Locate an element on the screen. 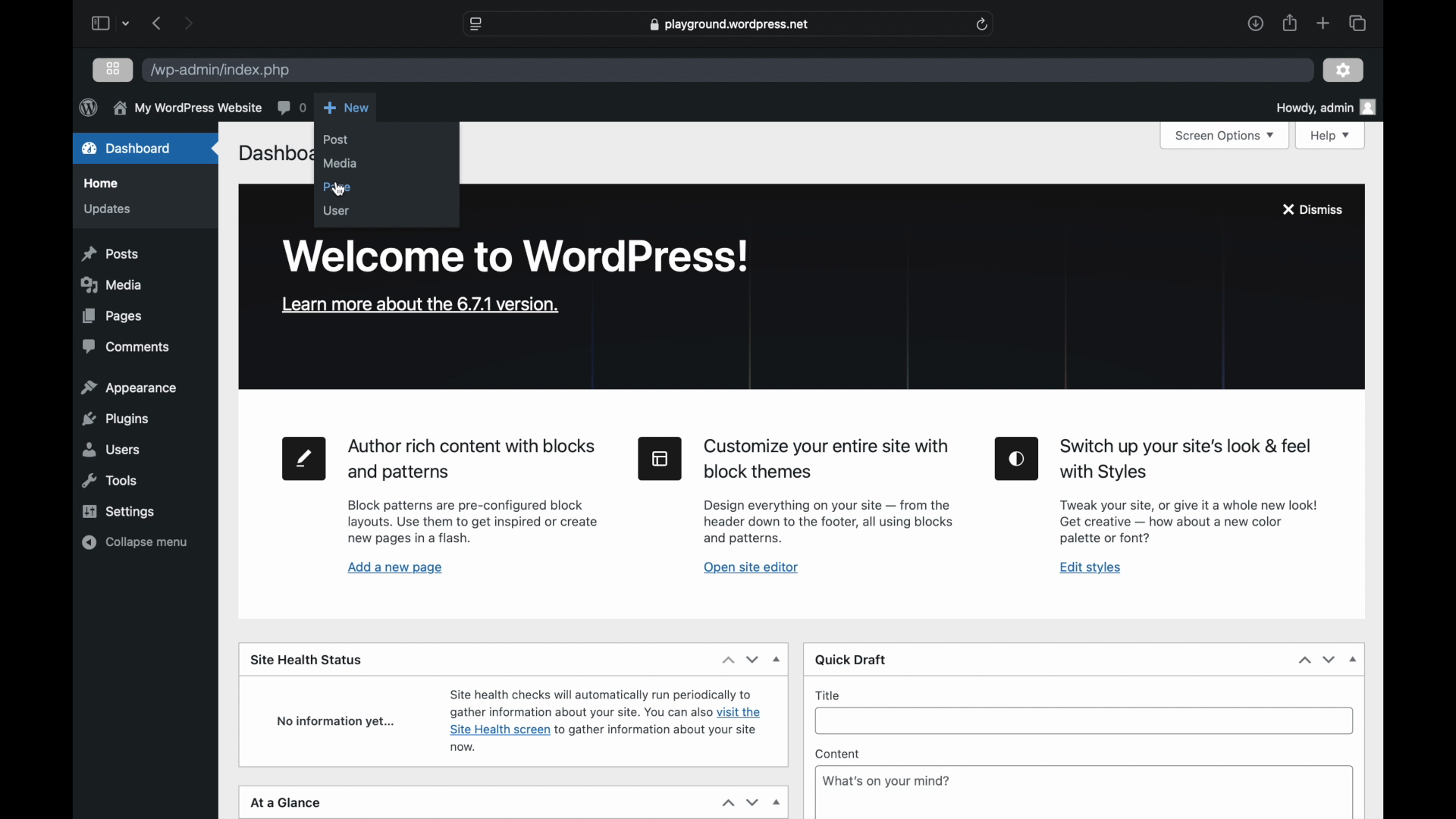 The width and height of the screenshot is (1456, 819). plugins is located at coordinates (117, 420).